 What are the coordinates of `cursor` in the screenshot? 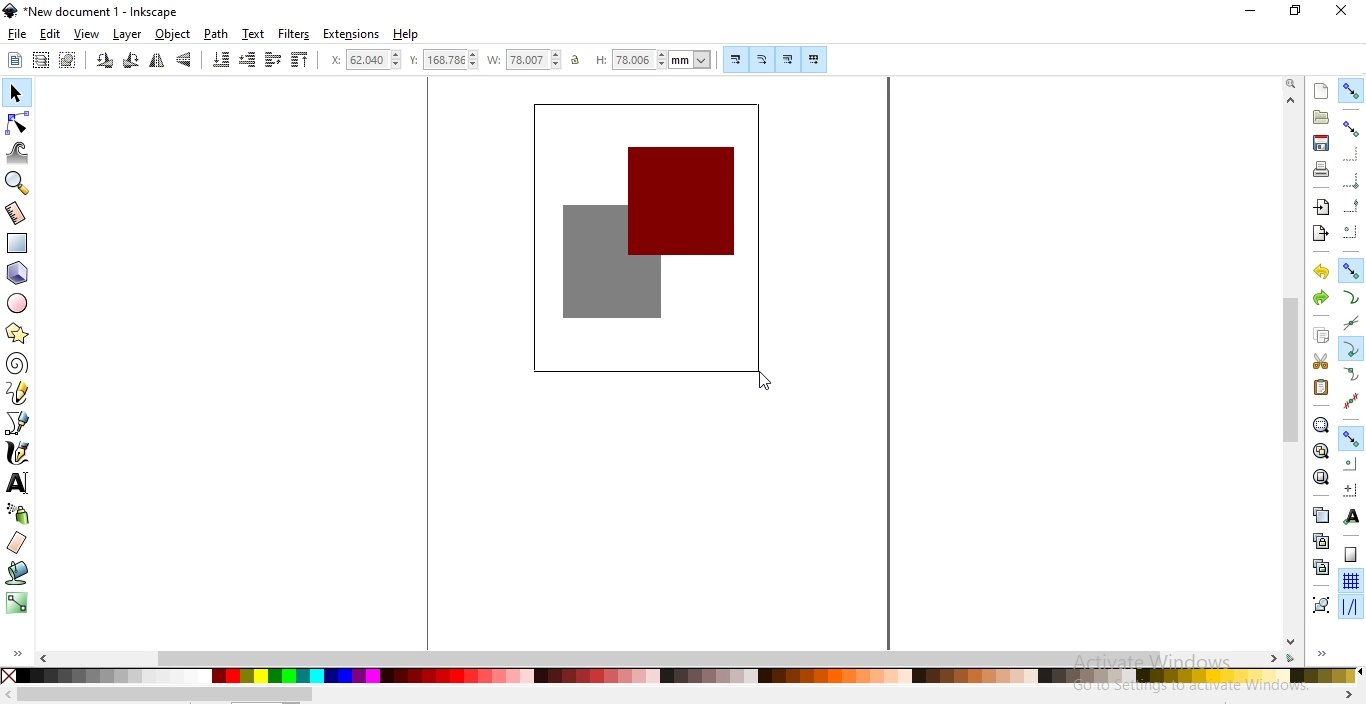 It's located at (762, 386).